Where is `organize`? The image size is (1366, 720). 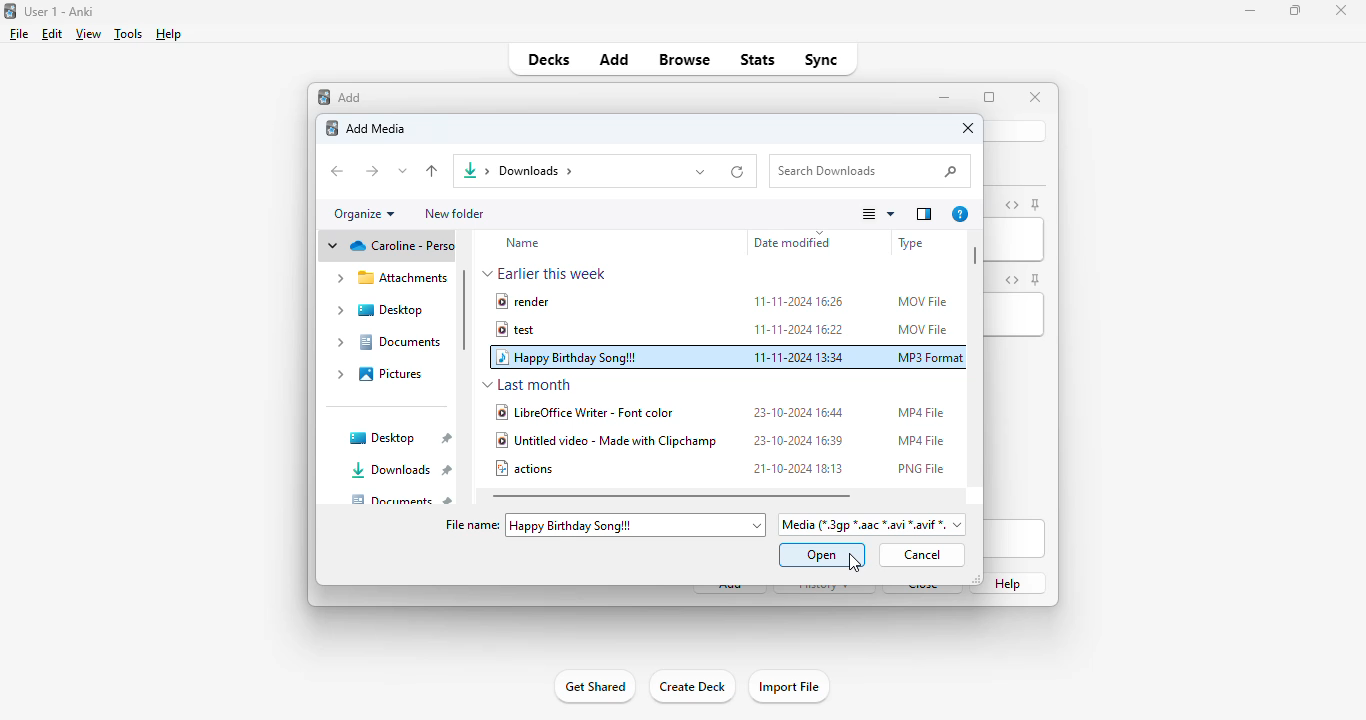 organize is located at coordinates (363, 213).